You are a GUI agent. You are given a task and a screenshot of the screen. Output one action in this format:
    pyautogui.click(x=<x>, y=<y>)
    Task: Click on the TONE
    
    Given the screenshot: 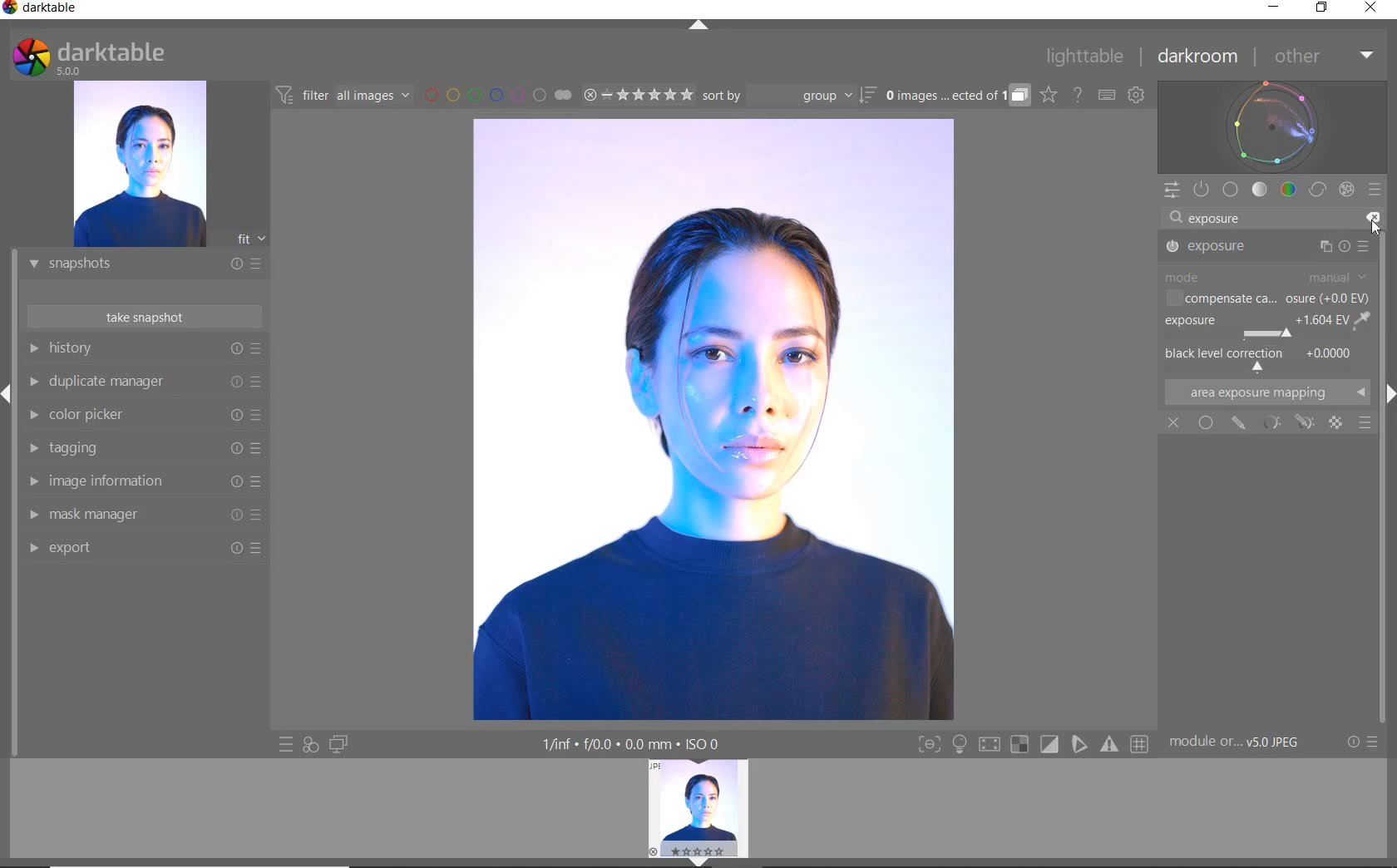 What is the action you would take?
    pyautogui.click(x=1261, y=190)
    